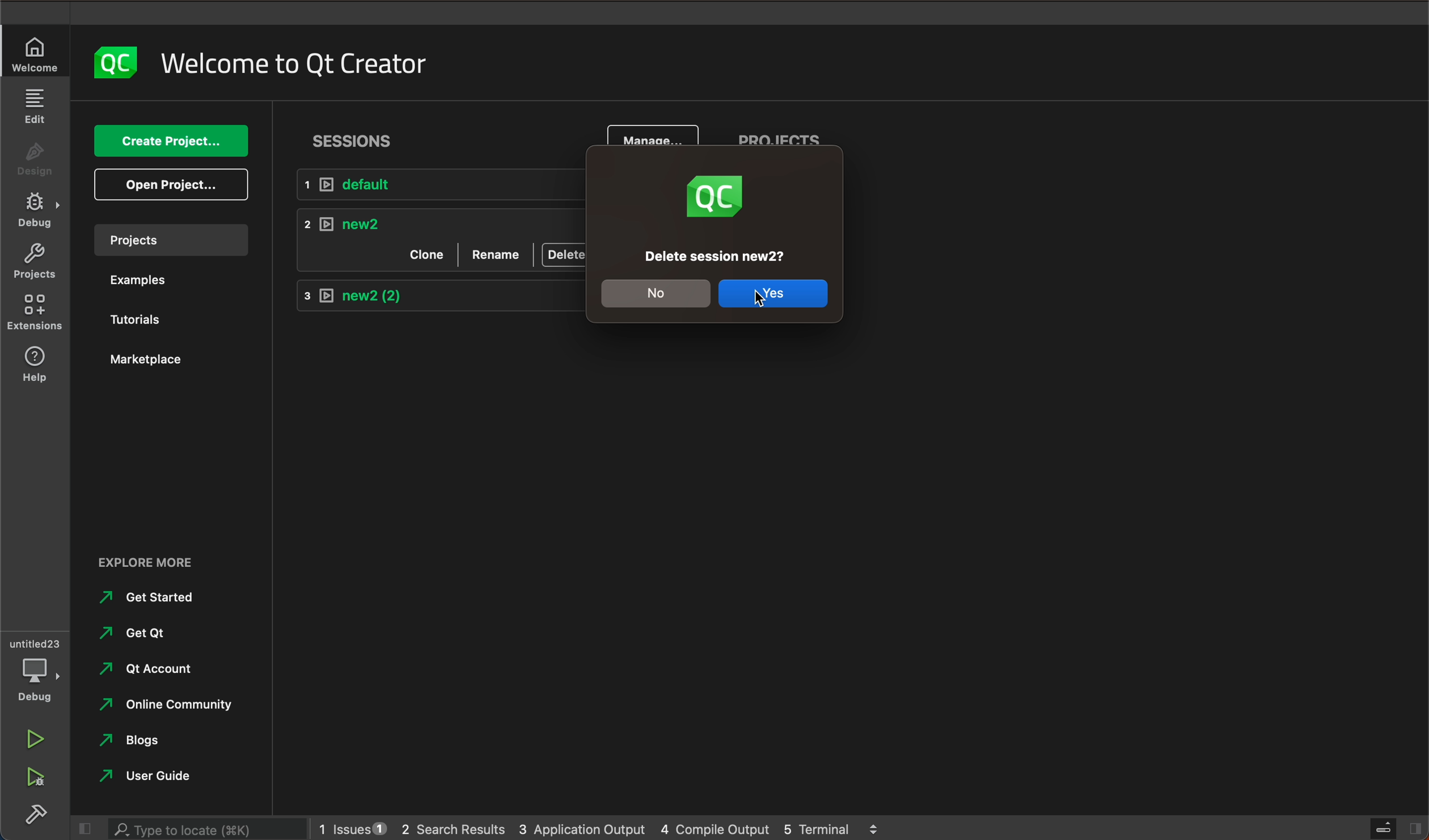 This screenshot has height=840, width=1429. Describe the element at coordinates (659, 294) in the screenshot. I see `no` at that location.